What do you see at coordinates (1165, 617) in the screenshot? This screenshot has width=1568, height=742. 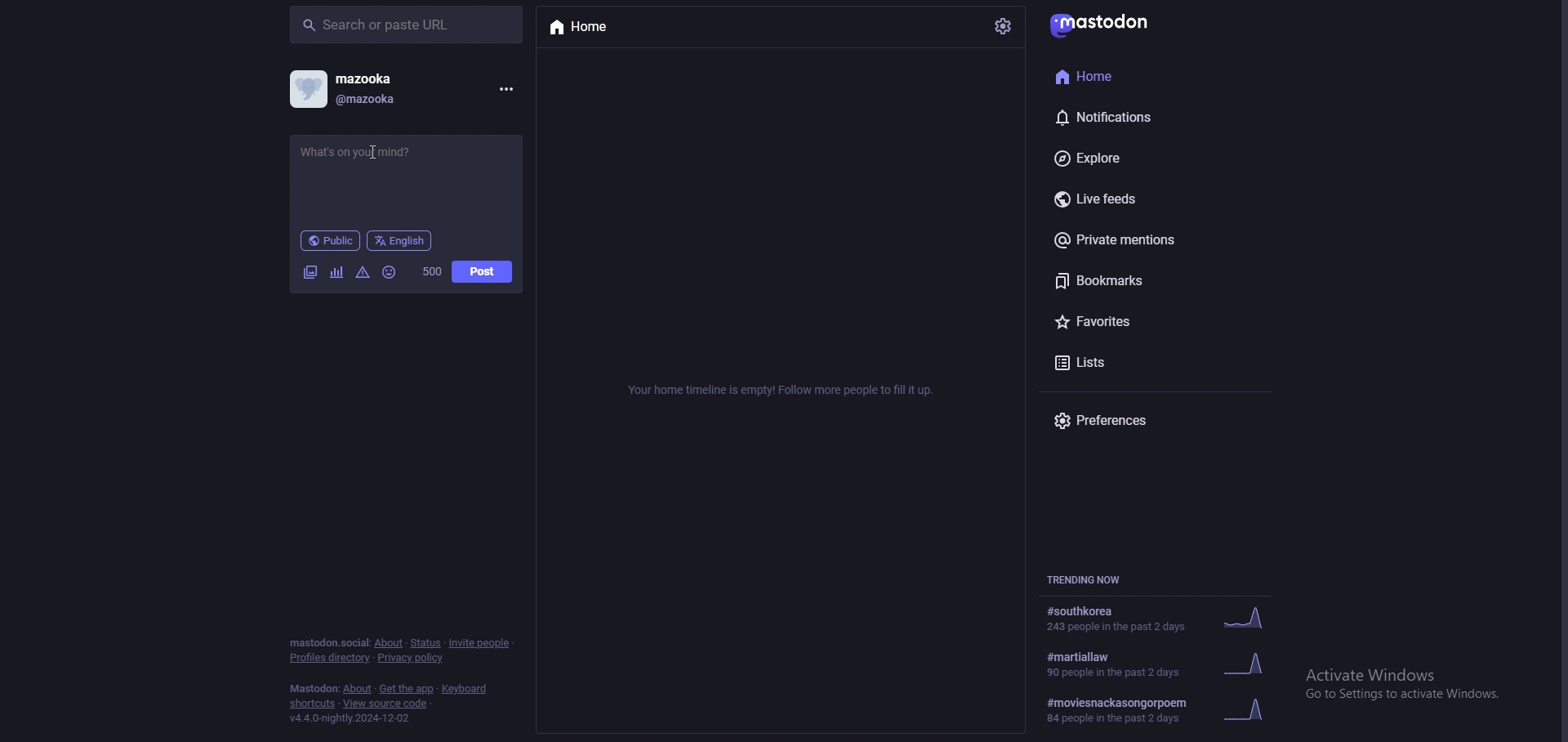 I see `trending` at bounding box center [1165, 617].